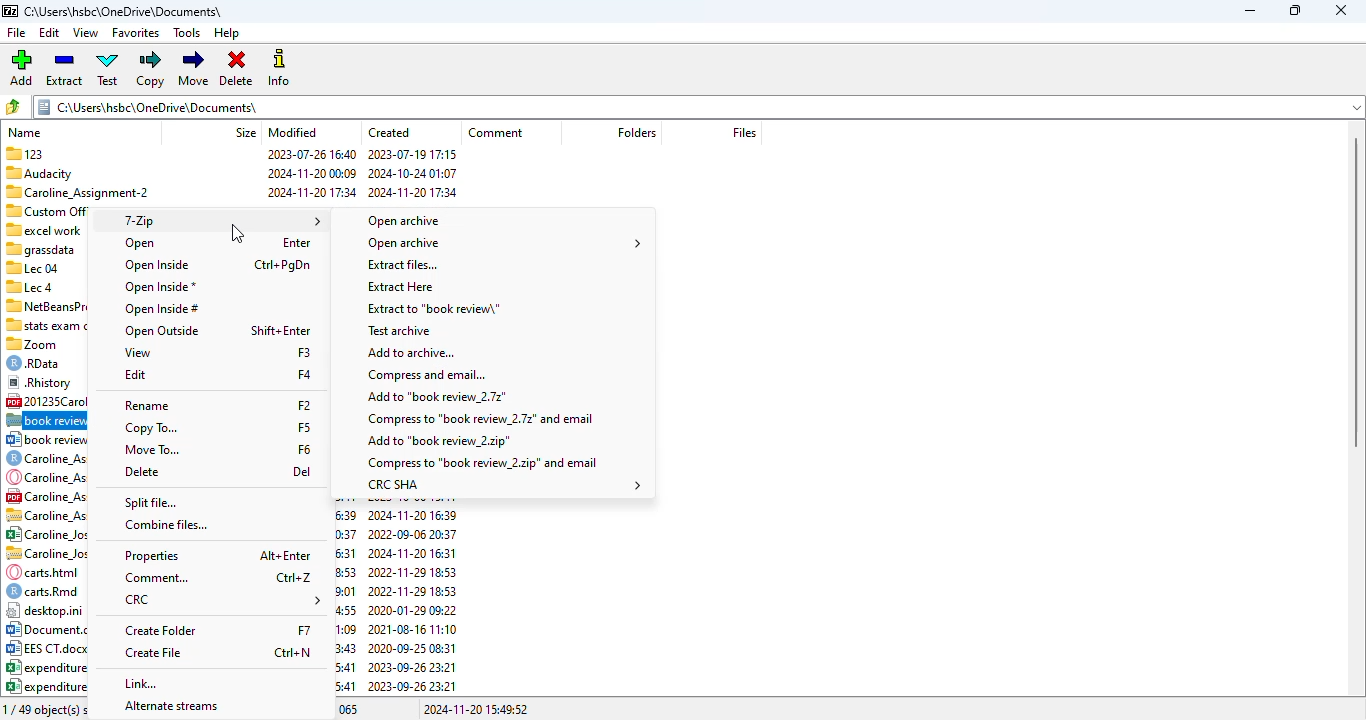 The height and width of the screenshot is (720, 1366). I want to click on 123, so click(24, 154).